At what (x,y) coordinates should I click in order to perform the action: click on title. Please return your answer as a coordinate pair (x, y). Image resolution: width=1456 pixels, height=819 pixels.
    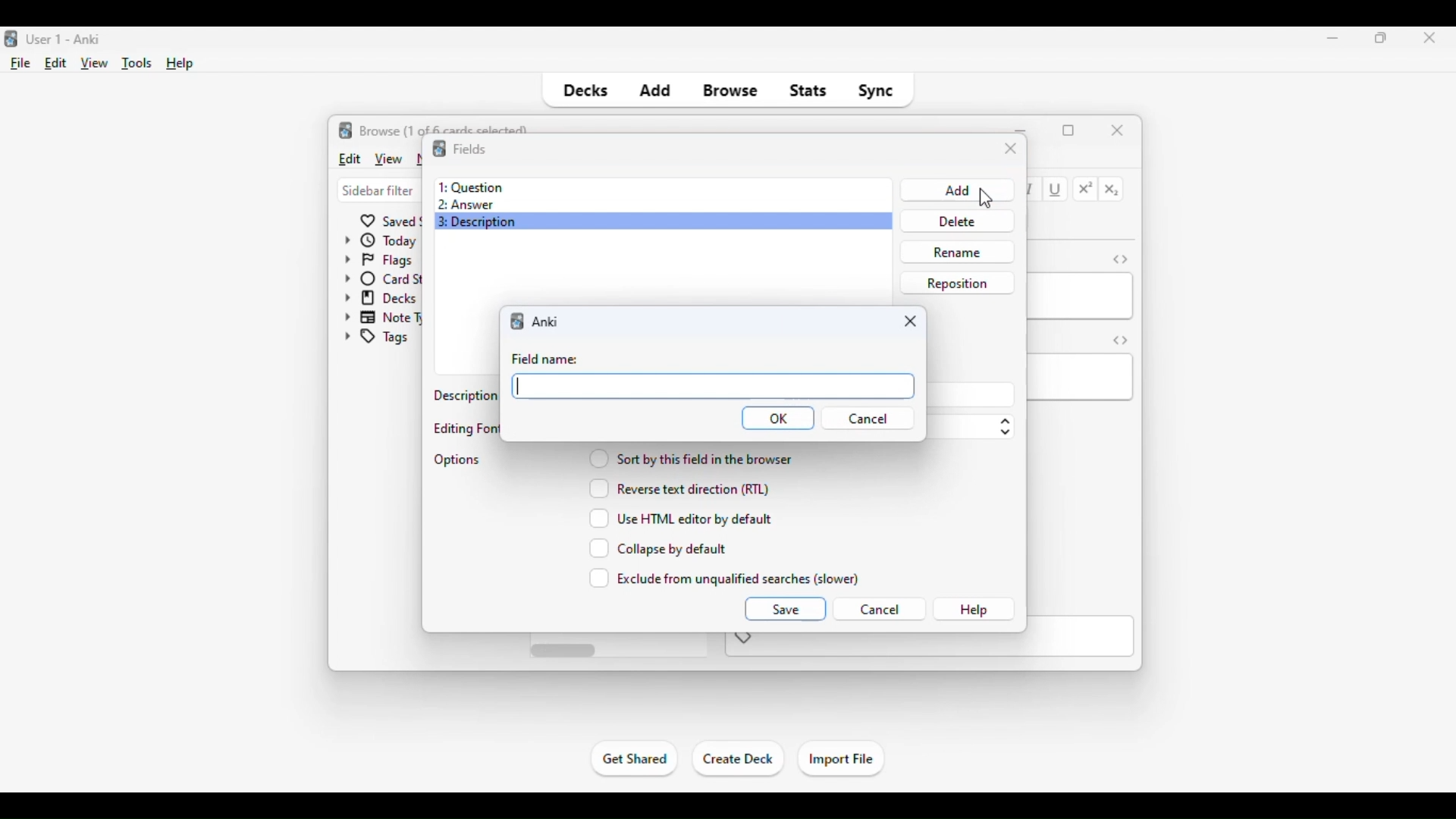
    Looking at the image, I should click on (65, 39).